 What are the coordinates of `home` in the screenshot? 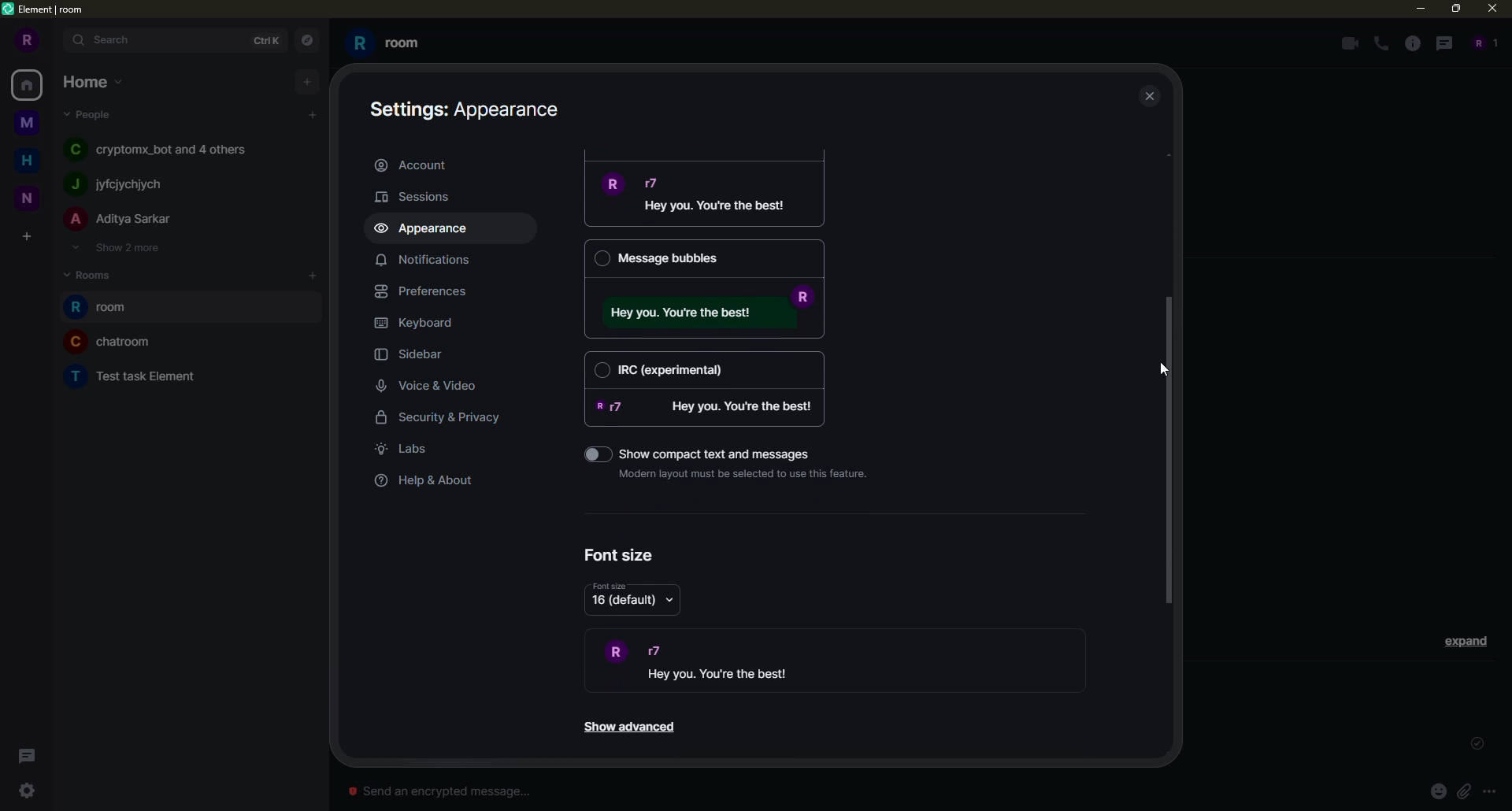 It's located at (31, 158).